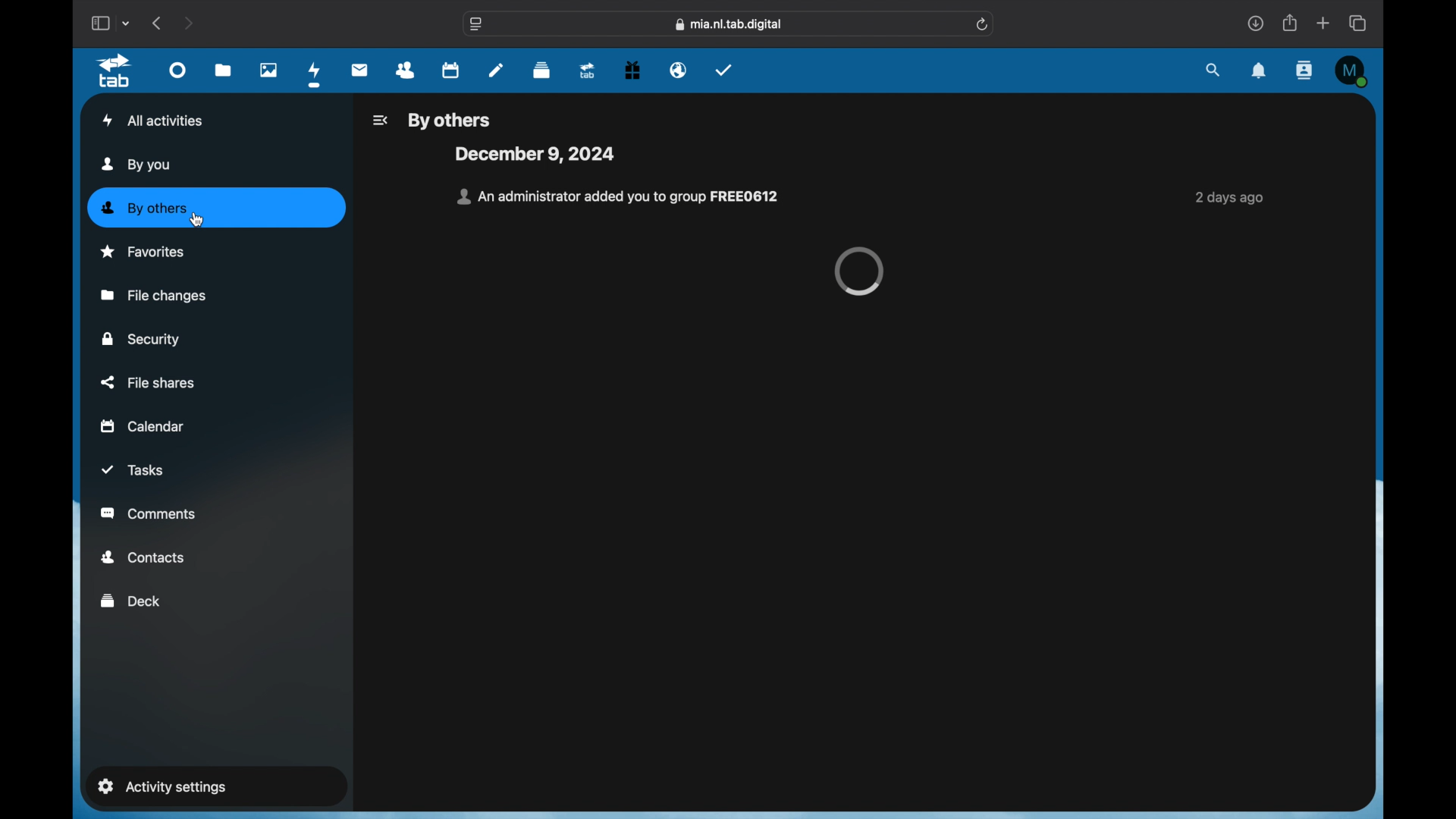 This screenshot has height=819, width=1456. Describe the element at coordinates (144, 252) in the screenshot. I see `favorites` at that location.